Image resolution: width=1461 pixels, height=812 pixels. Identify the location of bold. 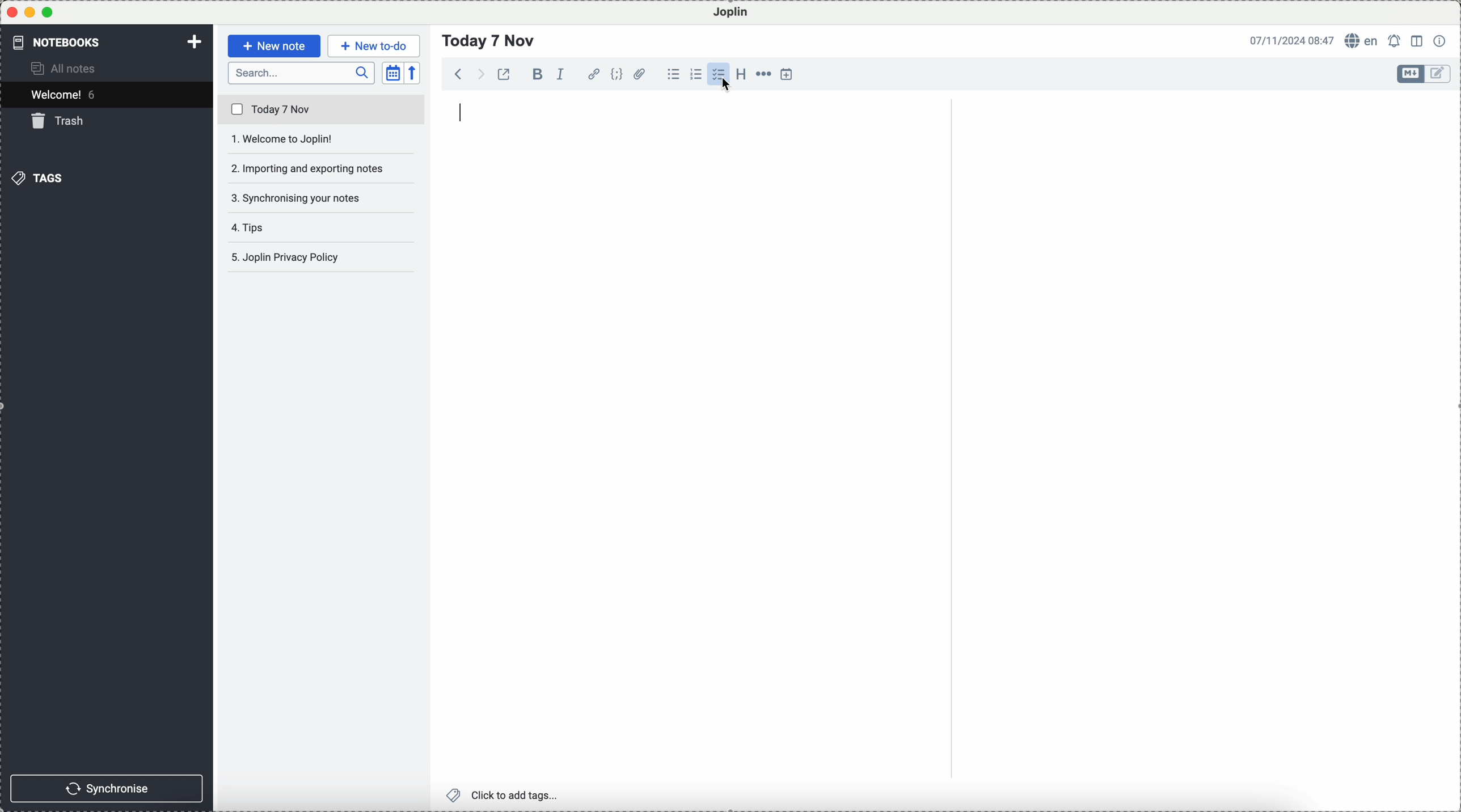
(535, 74).